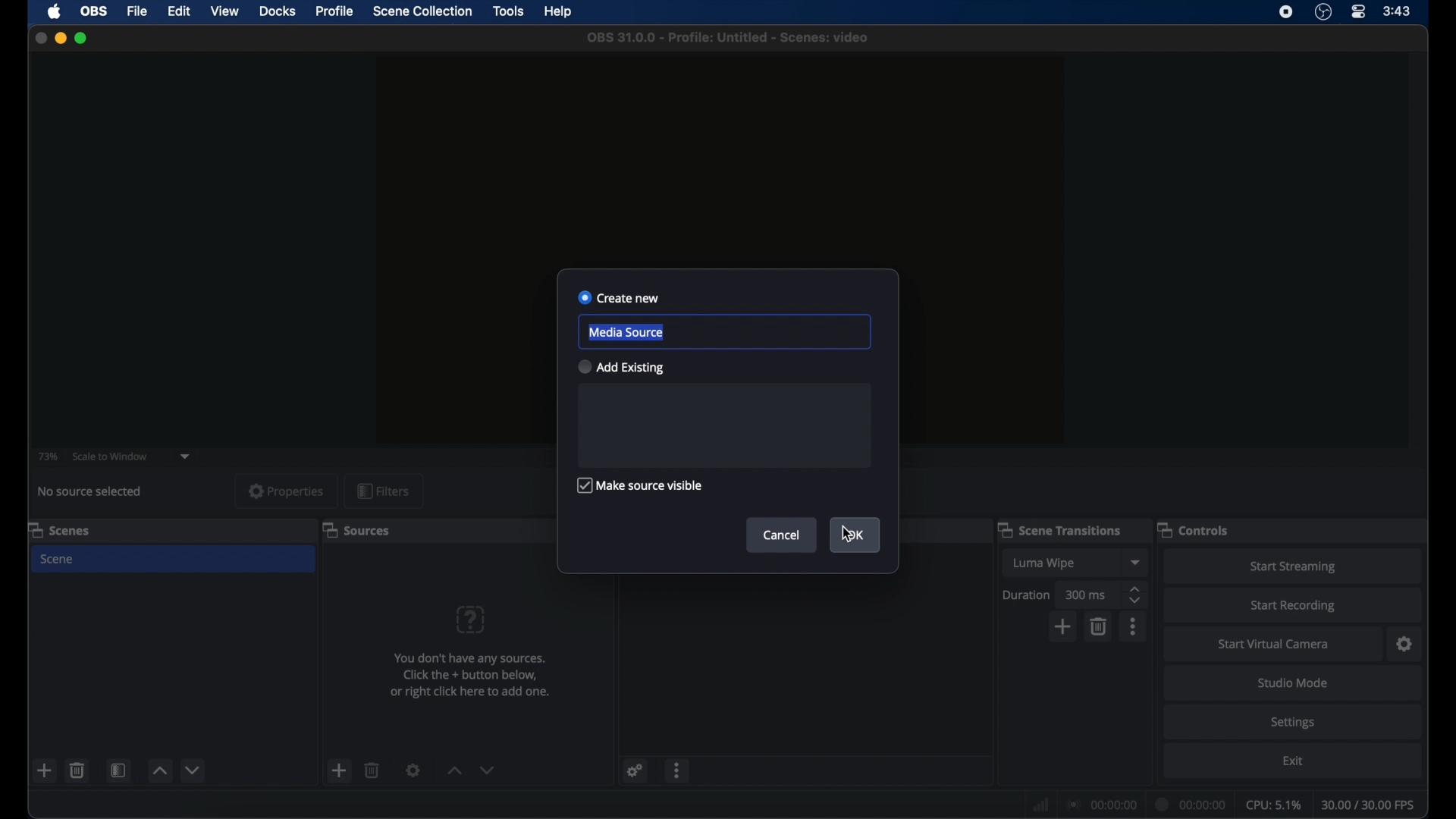 This screenshot has height=819, width=1456. I want to click on question mark icon, so click(470, 620).